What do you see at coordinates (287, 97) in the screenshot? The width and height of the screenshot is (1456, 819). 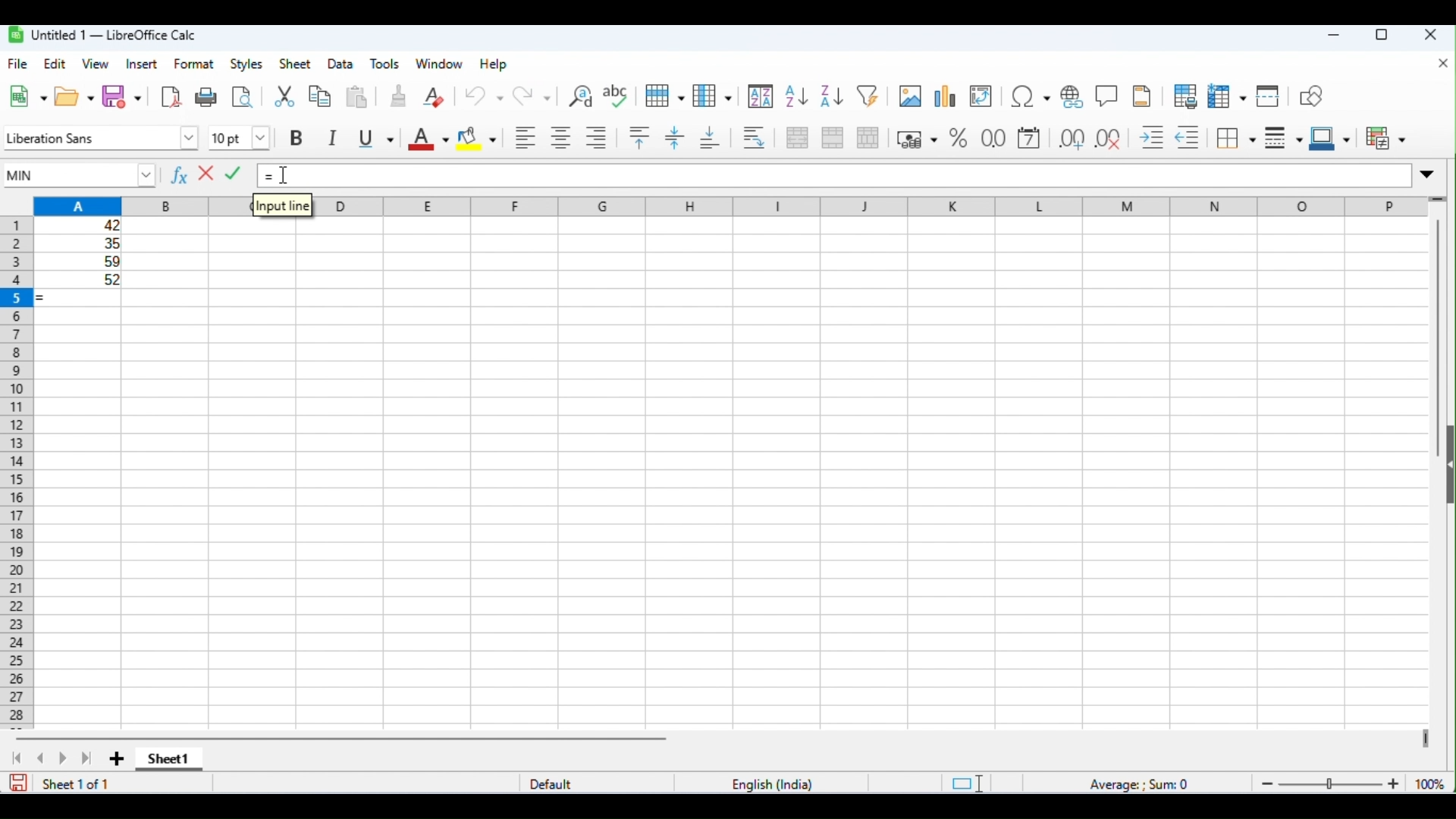 I see `cut` at bounding box center [287, 97].